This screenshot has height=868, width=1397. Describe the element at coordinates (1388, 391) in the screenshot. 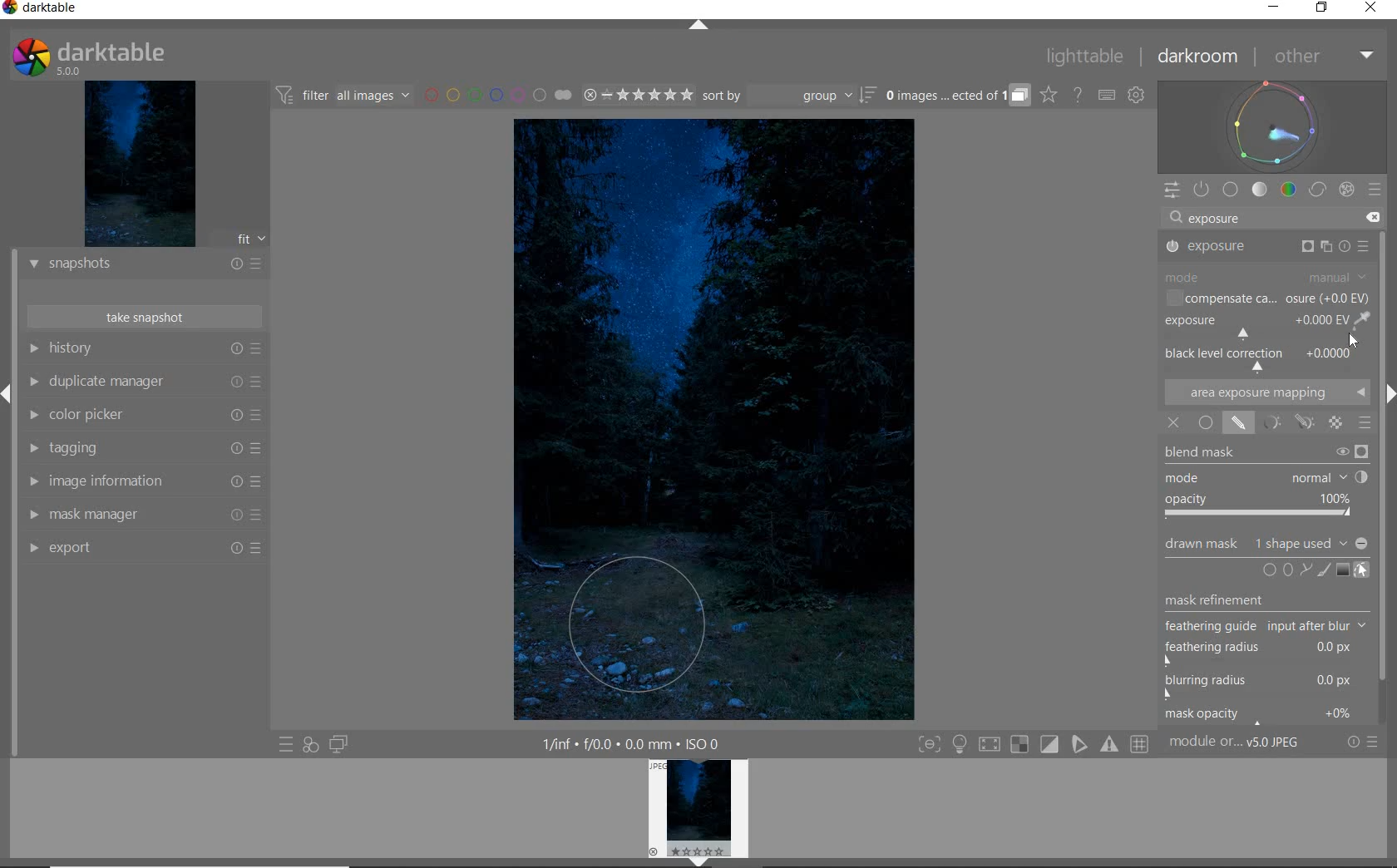

I see `Expand/Collapse` at that location.